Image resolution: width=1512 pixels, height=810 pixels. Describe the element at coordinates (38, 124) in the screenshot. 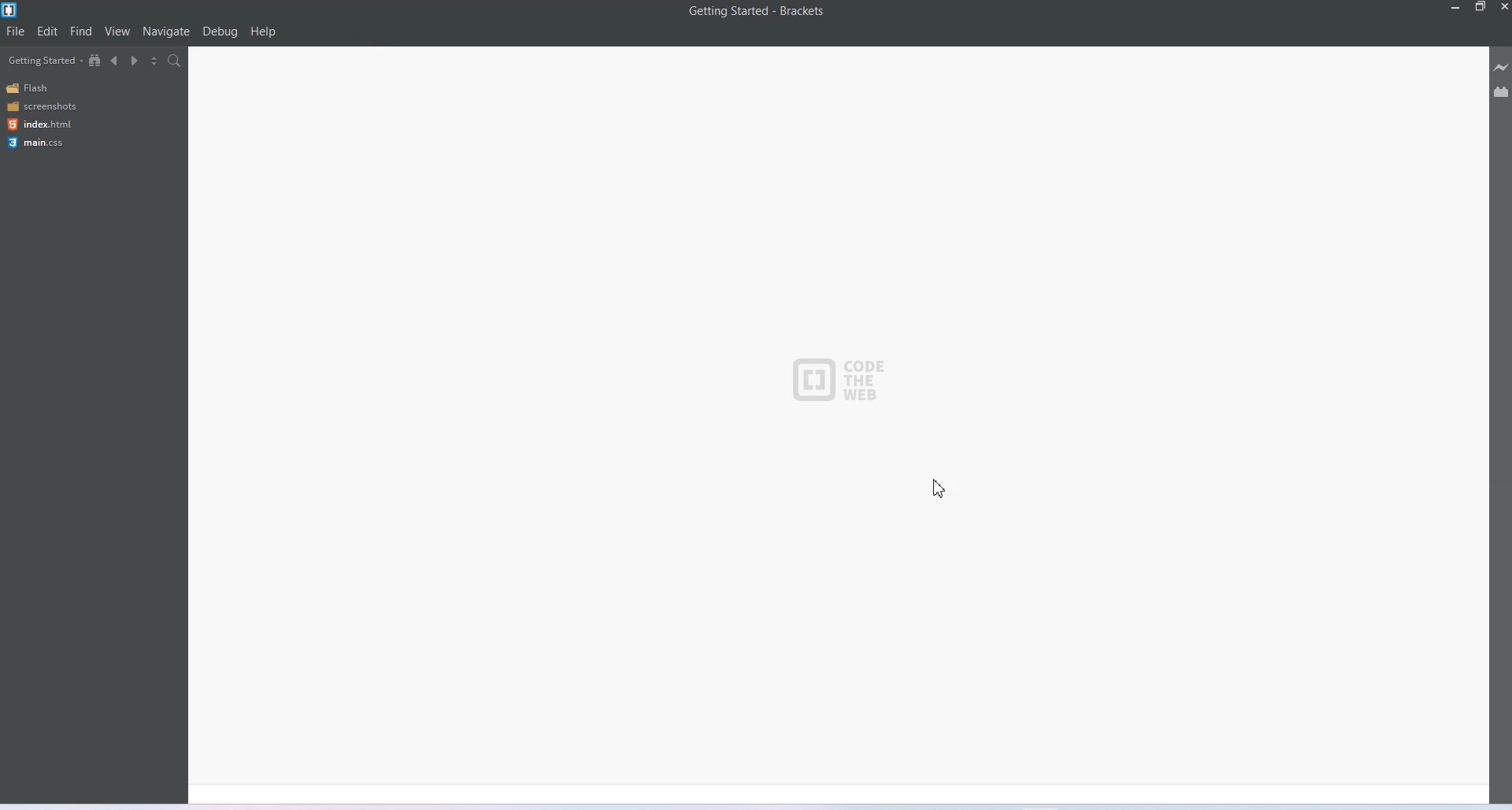

I see `Index` at that location.